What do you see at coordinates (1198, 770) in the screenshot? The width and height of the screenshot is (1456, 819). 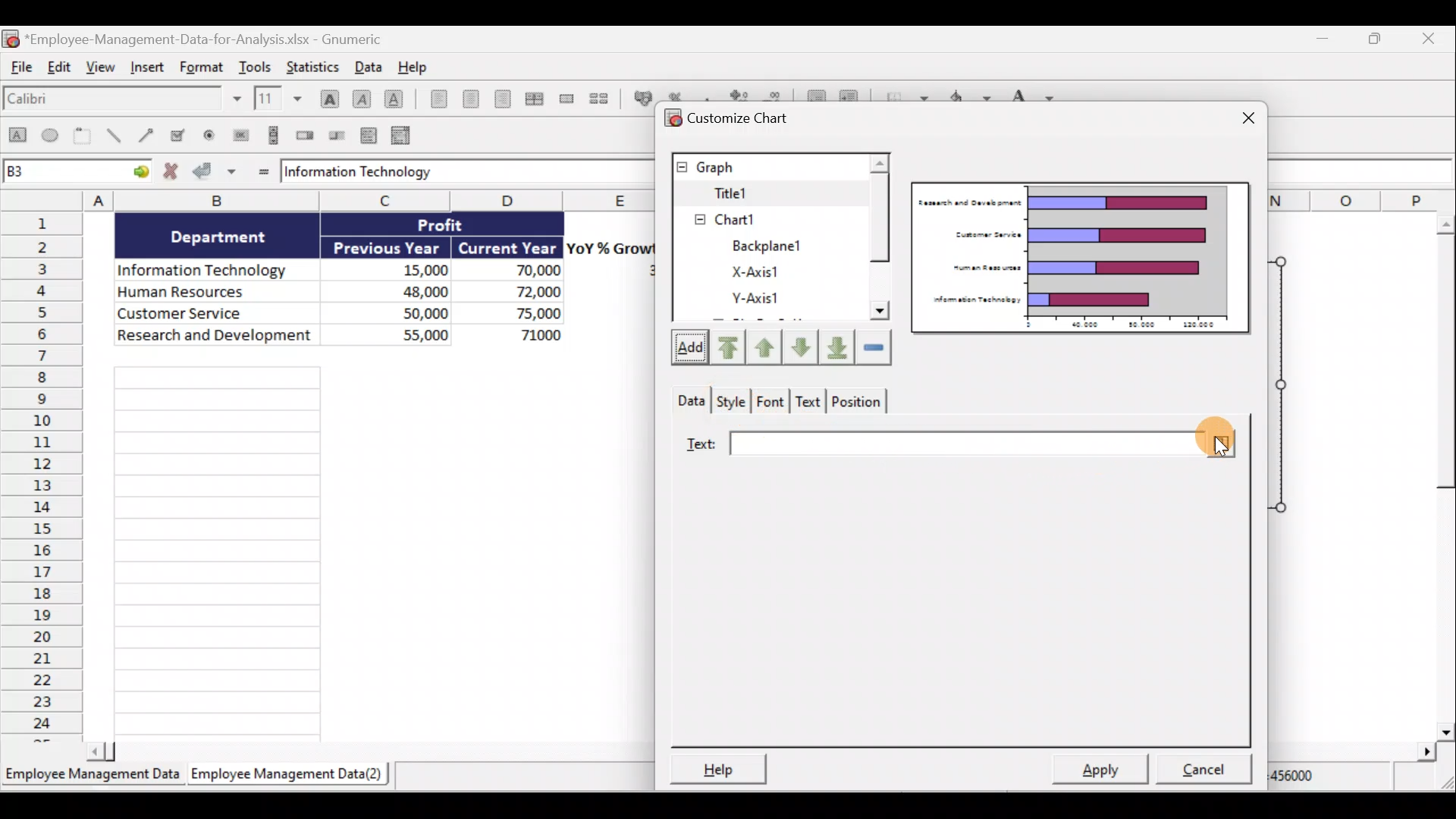 I see `Cancel` at bounding box center [1198, 770].